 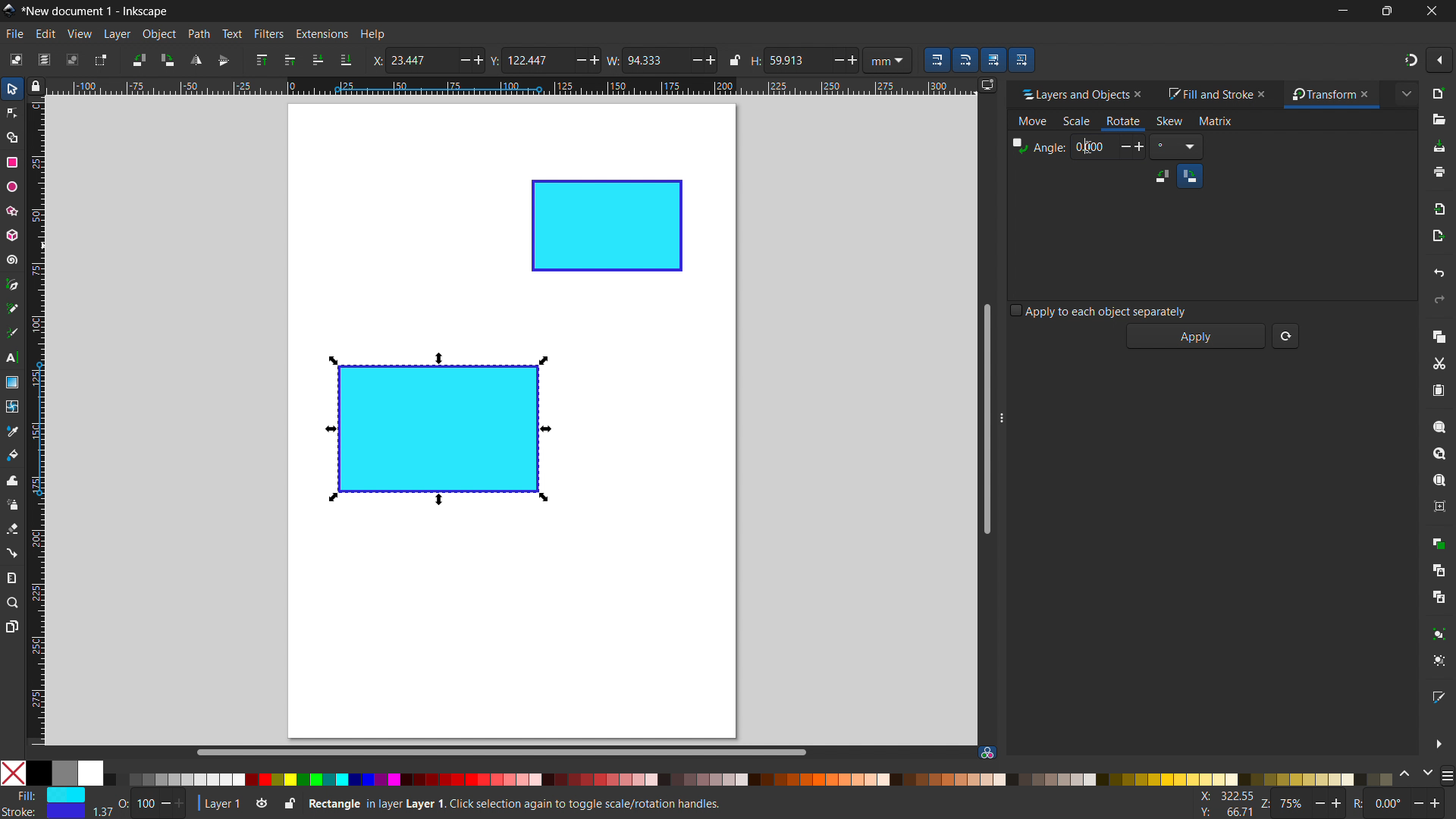 I want to click on flip horizontal, so click(x=195, y=60).